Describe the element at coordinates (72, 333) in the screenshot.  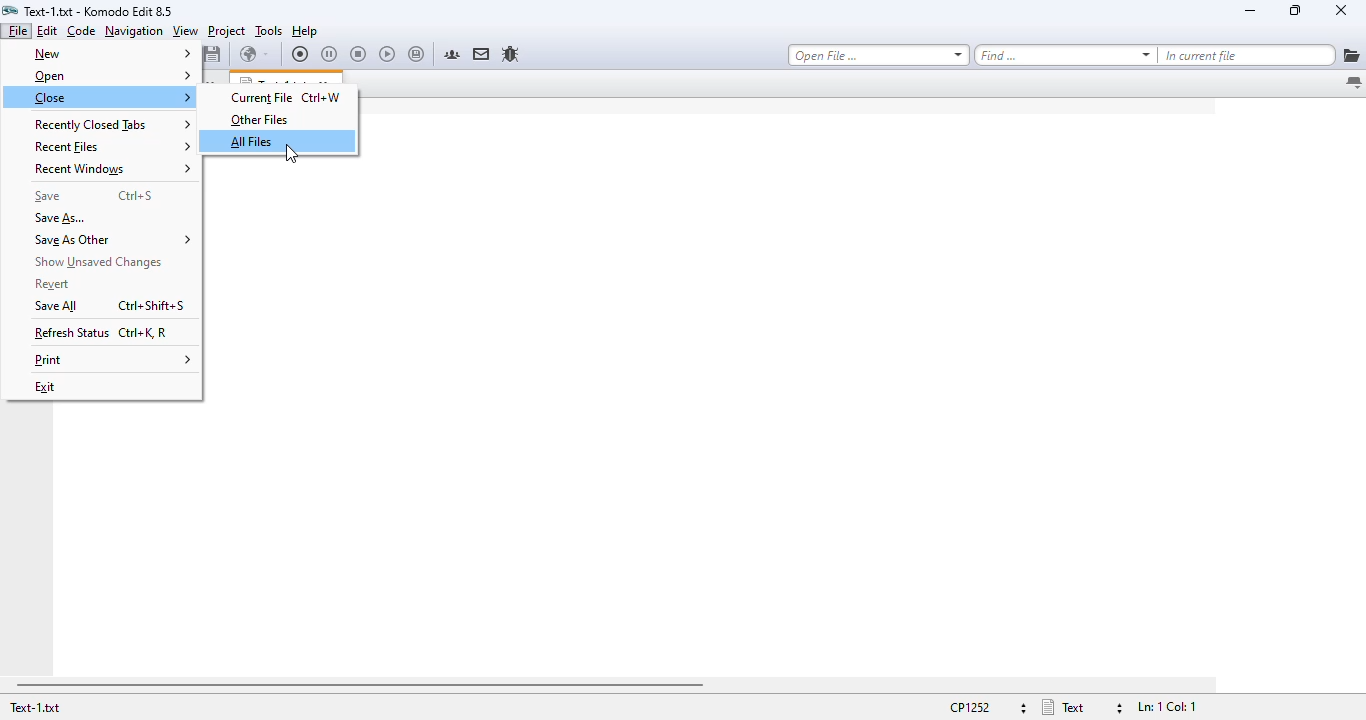
I see `refresh status` at that location.